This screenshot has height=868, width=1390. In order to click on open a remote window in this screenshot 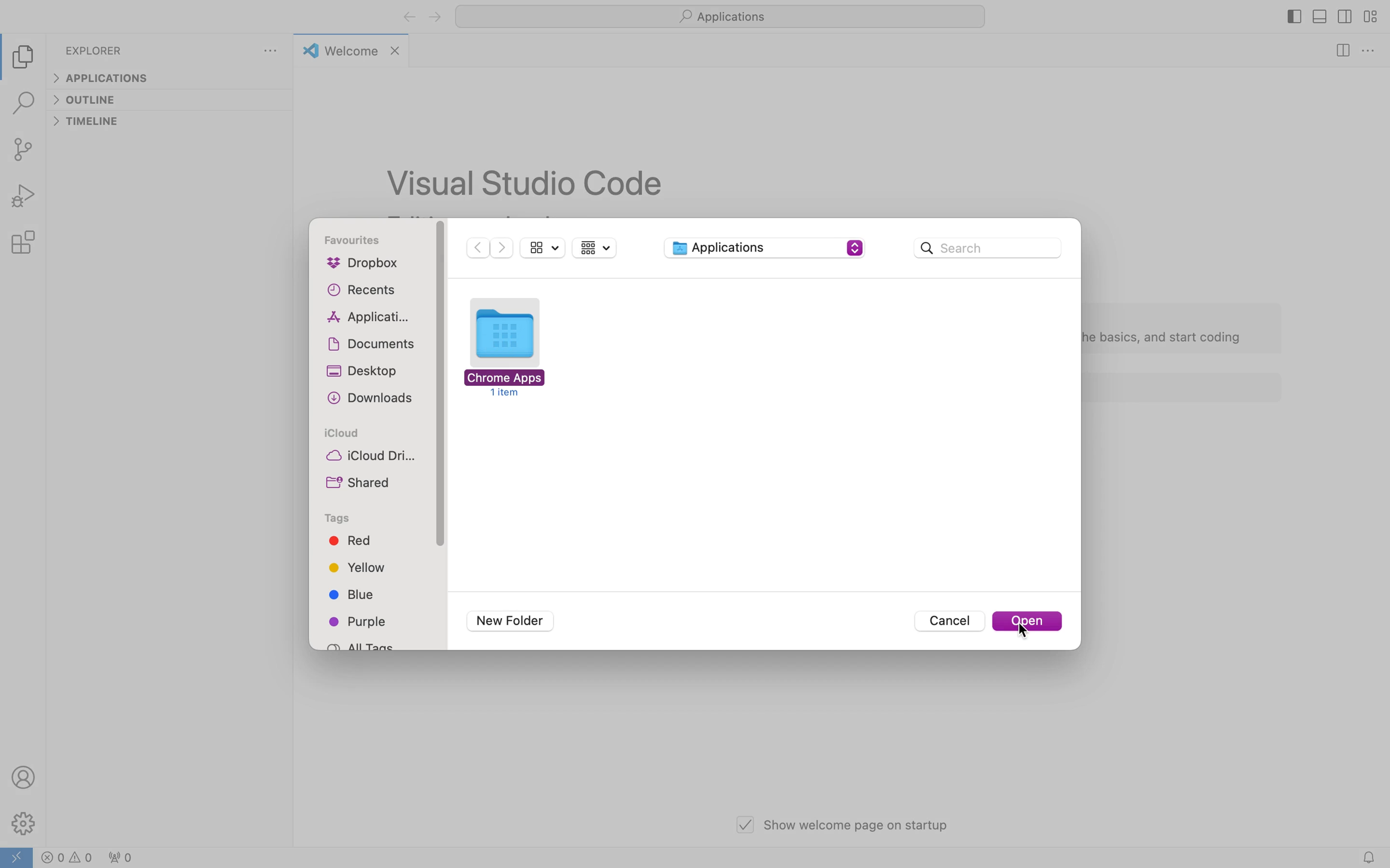, I will do `click(20, 858)`.